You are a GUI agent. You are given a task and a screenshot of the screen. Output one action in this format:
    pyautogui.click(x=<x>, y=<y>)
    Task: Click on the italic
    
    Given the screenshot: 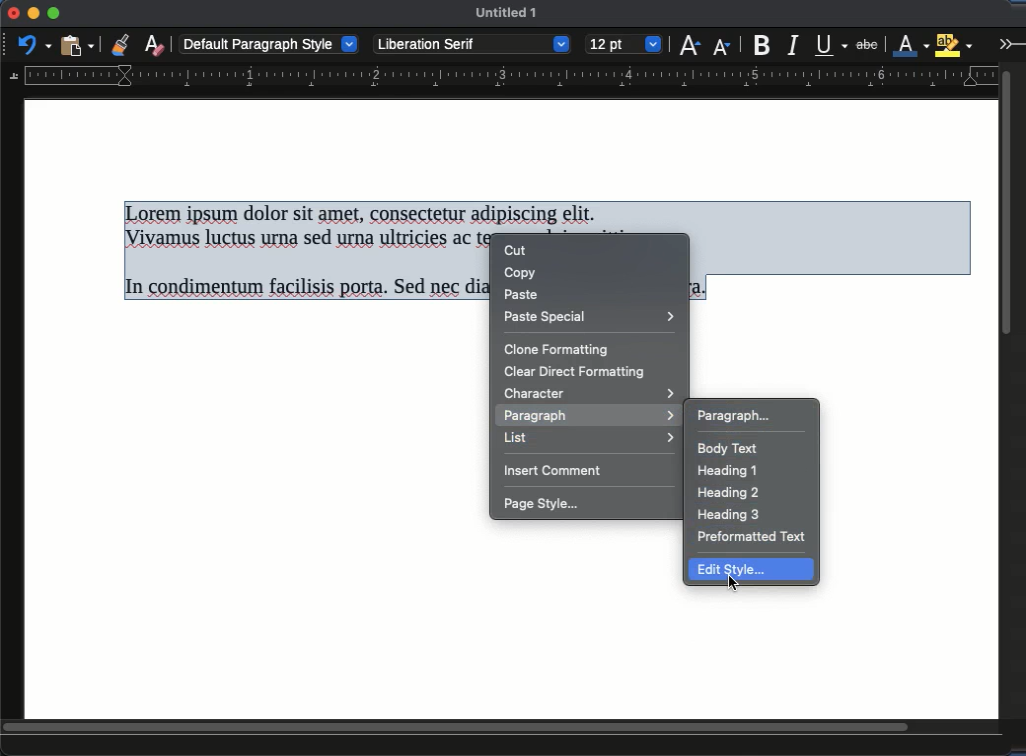 What is the action you would take?
    pyautogui.click(x=792, y=46)
    